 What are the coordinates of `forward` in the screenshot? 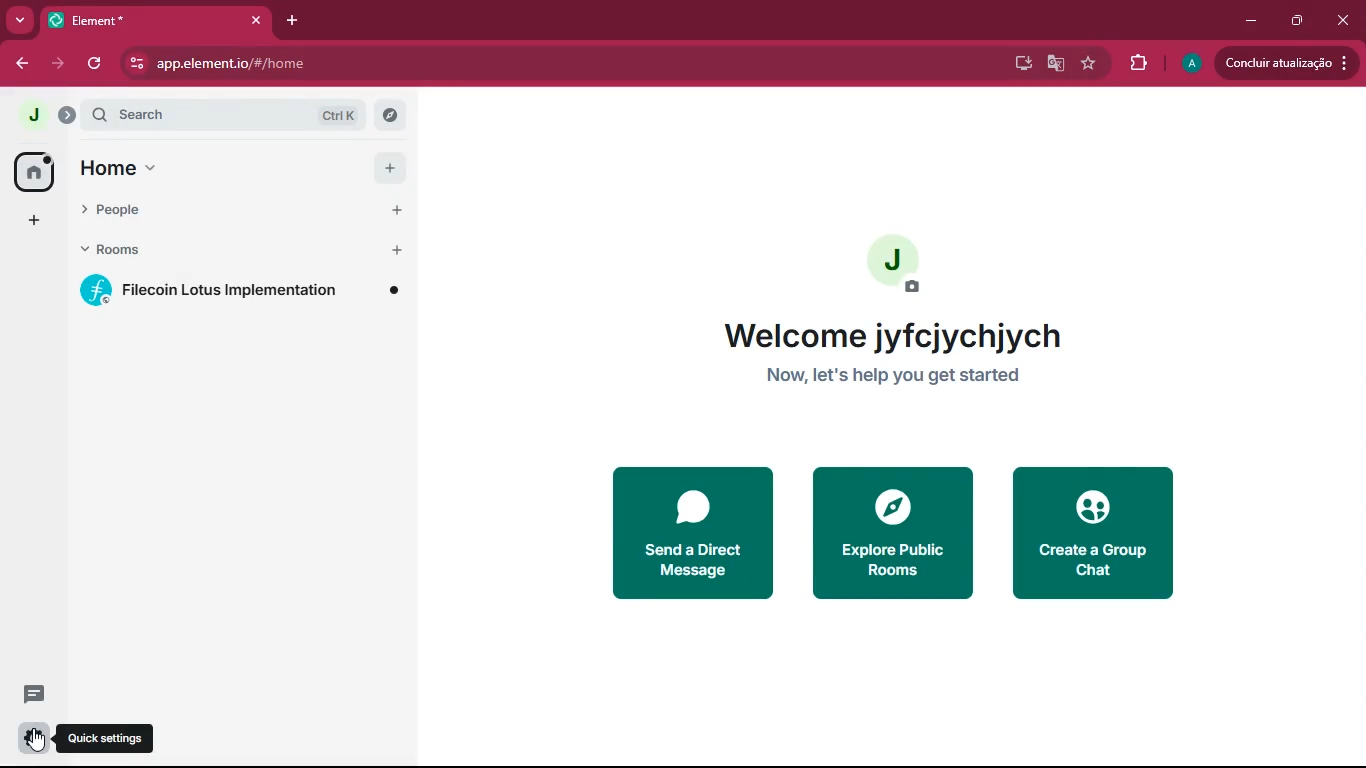 It's located at (55, 65).